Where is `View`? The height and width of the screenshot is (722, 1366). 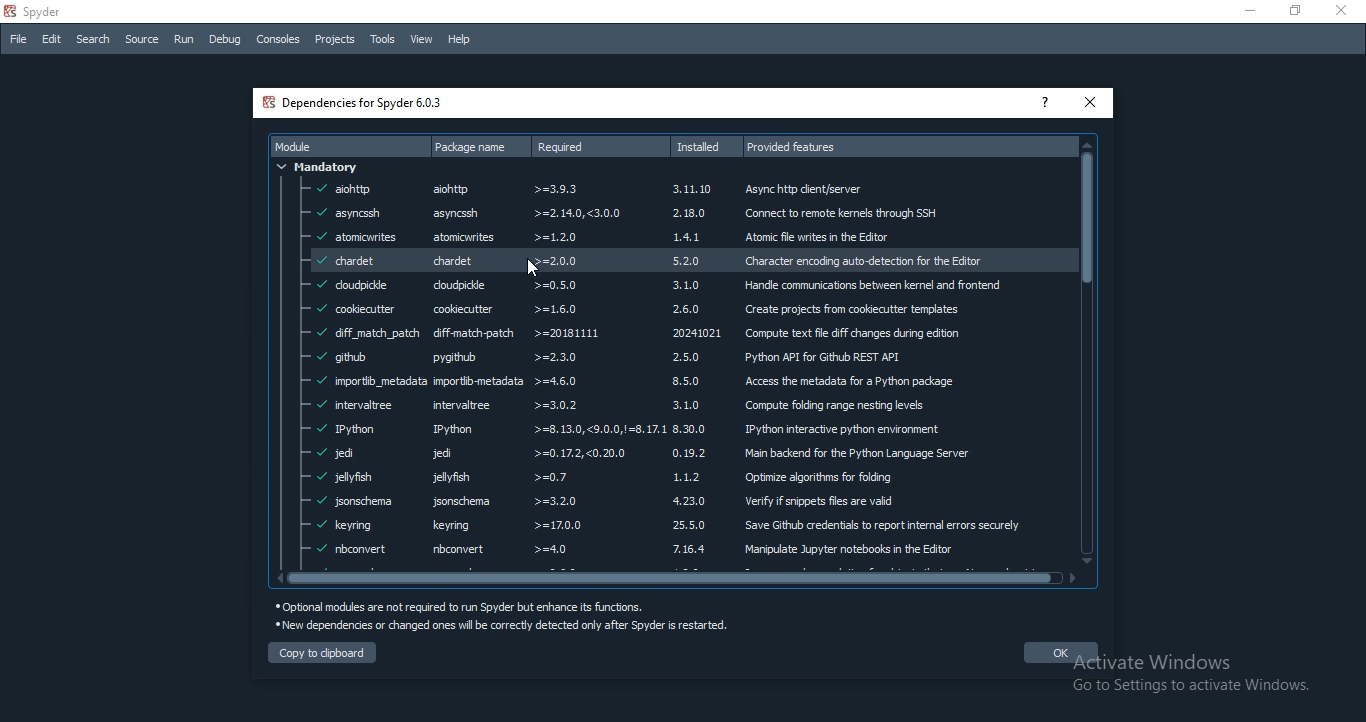
View is located at coordinates (422, 41).